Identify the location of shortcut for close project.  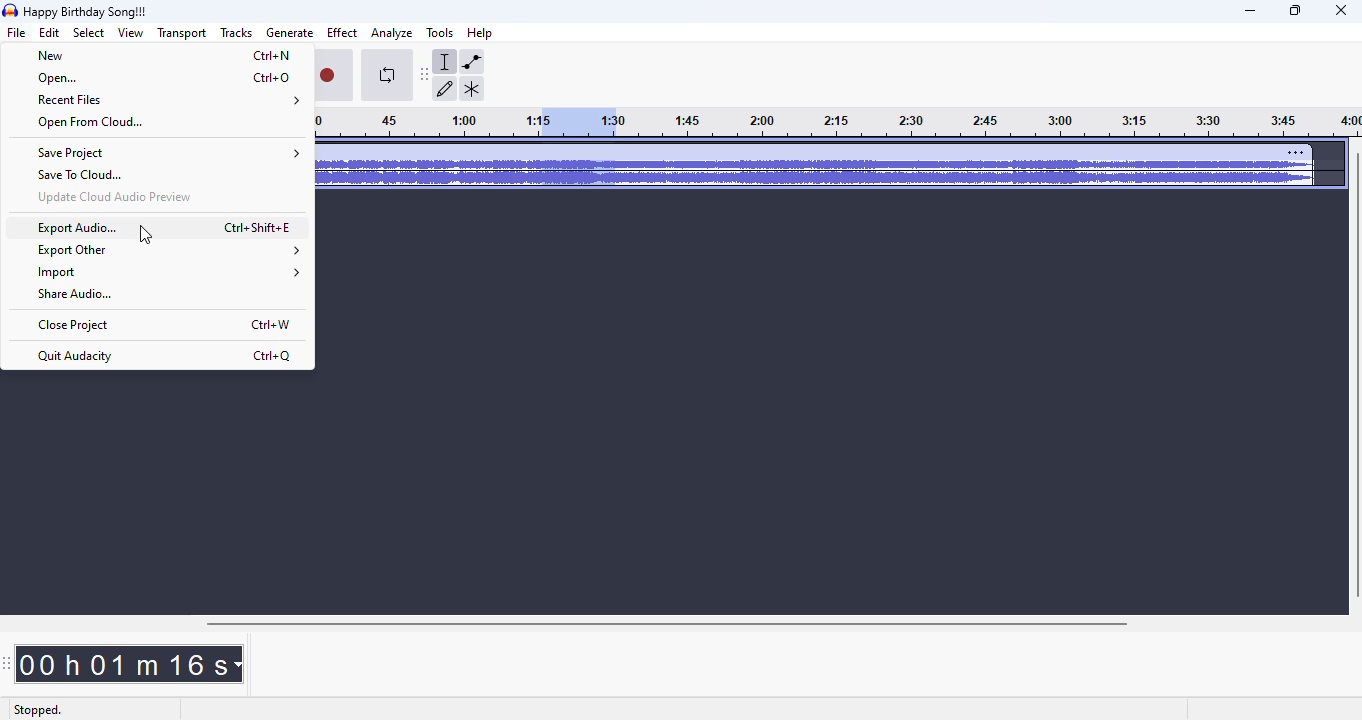
(272, 324).